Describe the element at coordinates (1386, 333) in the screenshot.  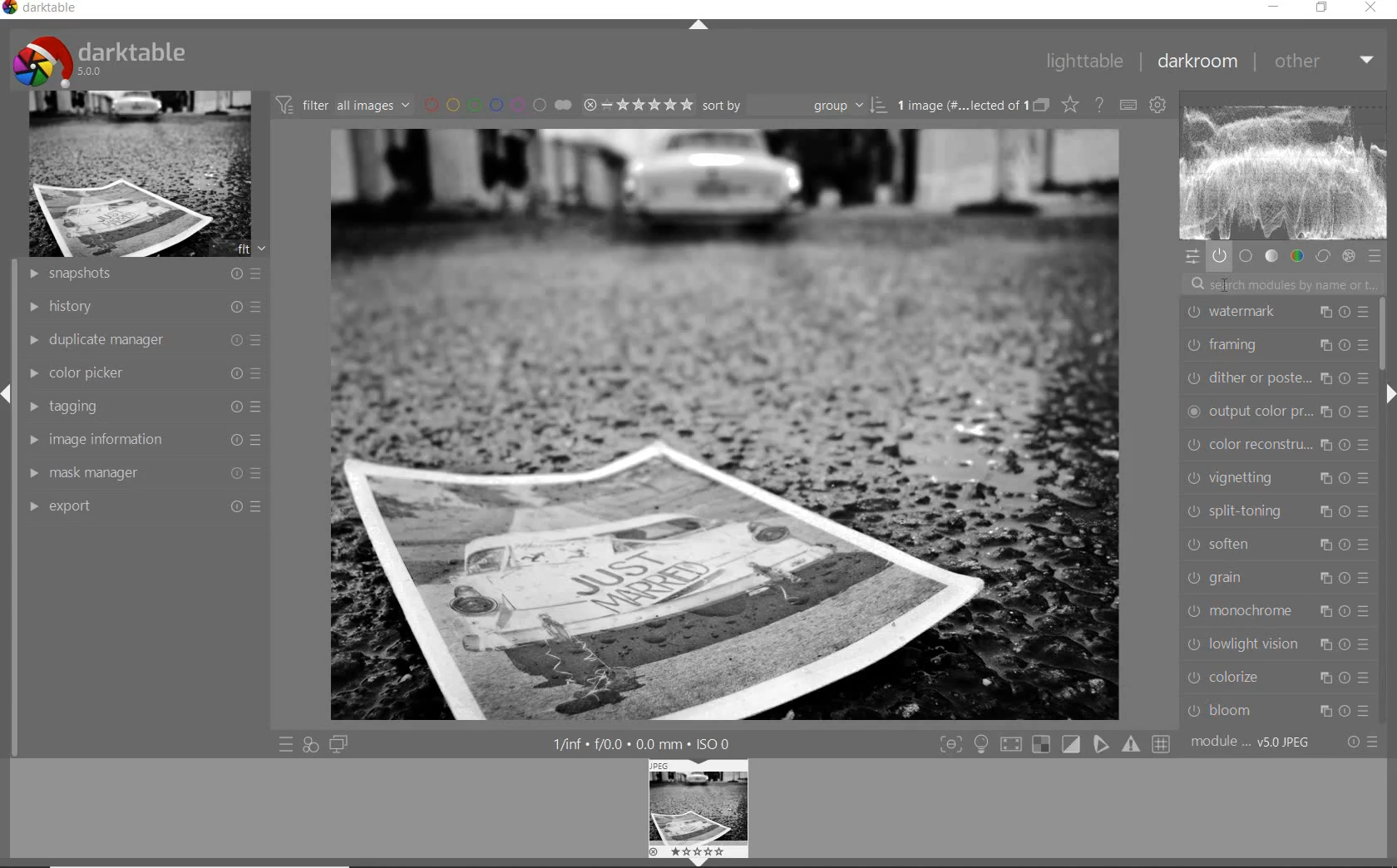
I see `scollbar` at that location.